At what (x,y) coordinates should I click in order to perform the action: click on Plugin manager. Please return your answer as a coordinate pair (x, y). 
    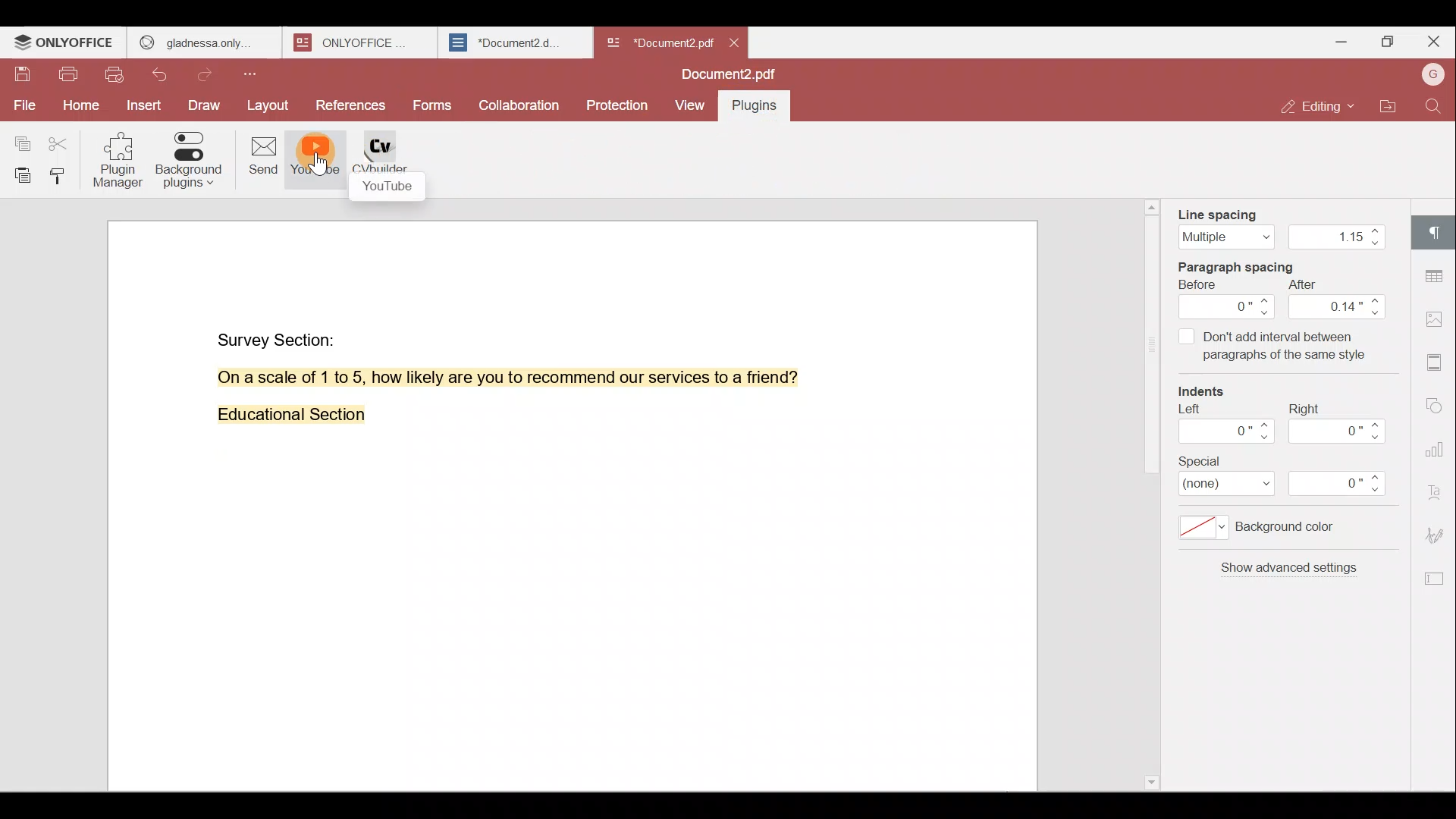
    Looking at the image, I should click on (121, 165).